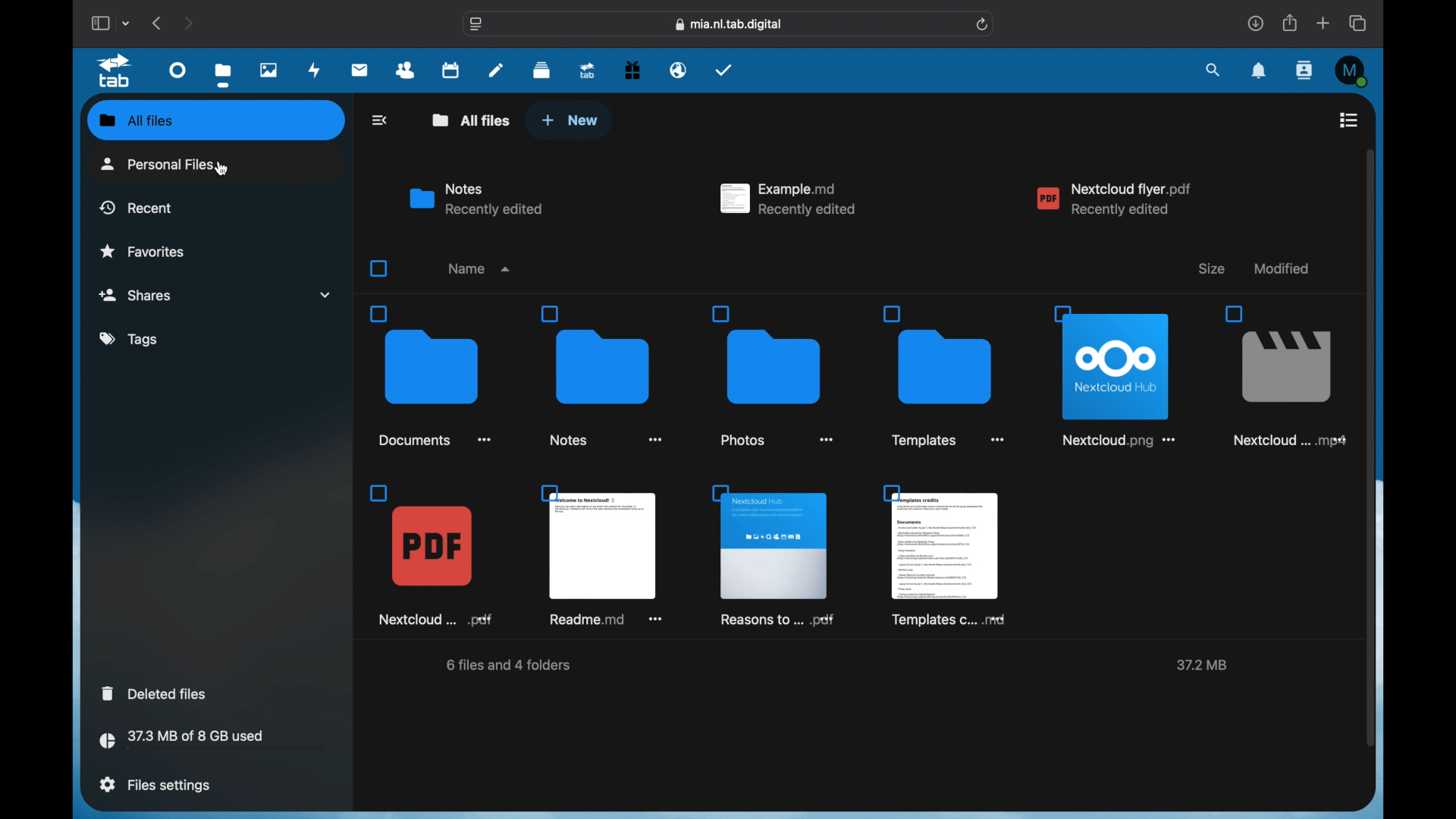 The width and height of the screenshot is (1456, 819). Describe the element at coordinates (775, 556) in the screenshot. I see `file` at that location.